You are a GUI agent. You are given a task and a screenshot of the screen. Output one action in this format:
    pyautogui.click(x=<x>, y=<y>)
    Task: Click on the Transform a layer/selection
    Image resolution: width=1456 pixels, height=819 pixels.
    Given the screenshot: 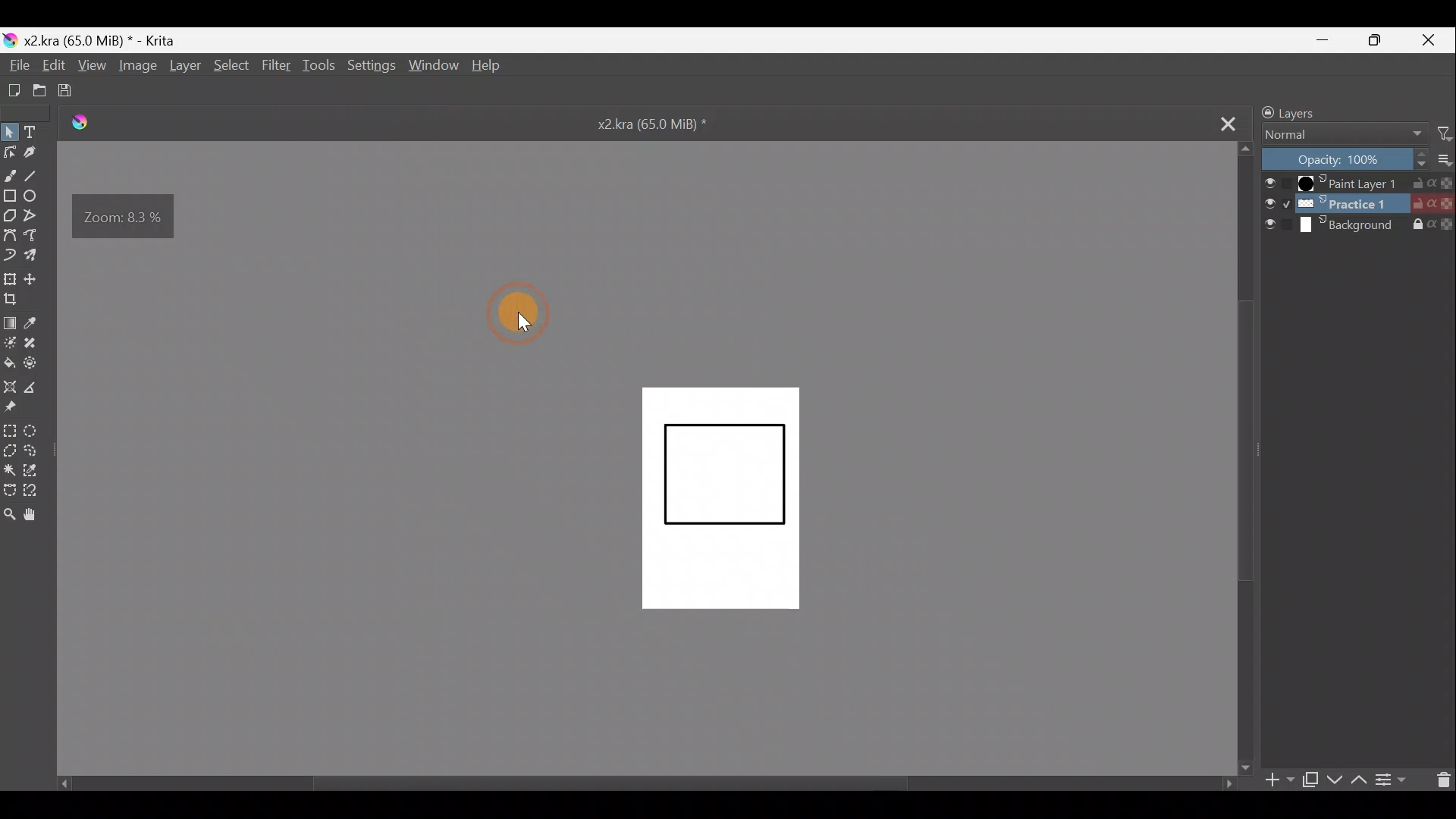 What is the action you would take?
    pyautogui.click(x=11, y=280)
    